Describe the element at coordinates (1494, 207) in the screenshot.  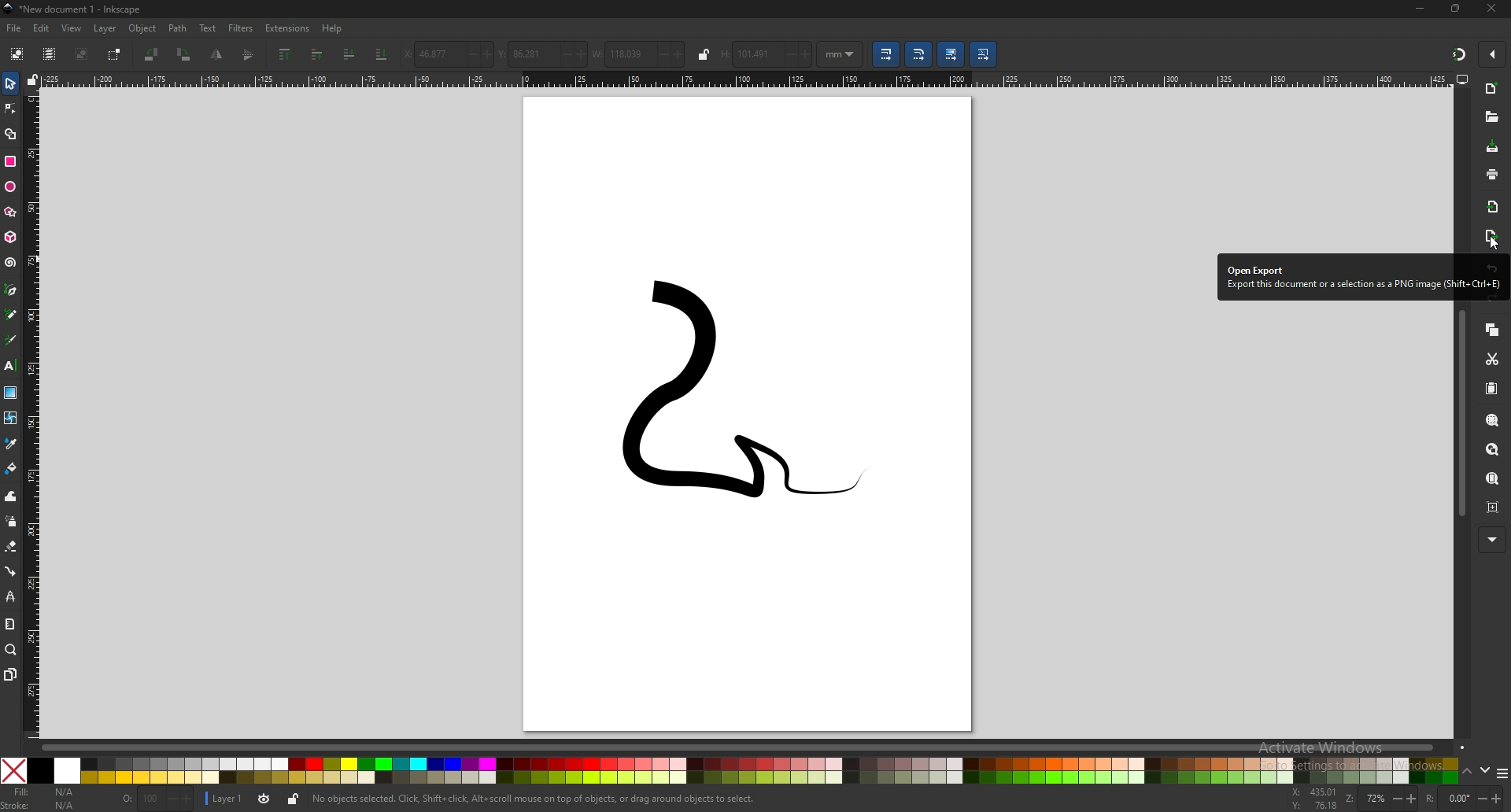
I see `import` at that location.